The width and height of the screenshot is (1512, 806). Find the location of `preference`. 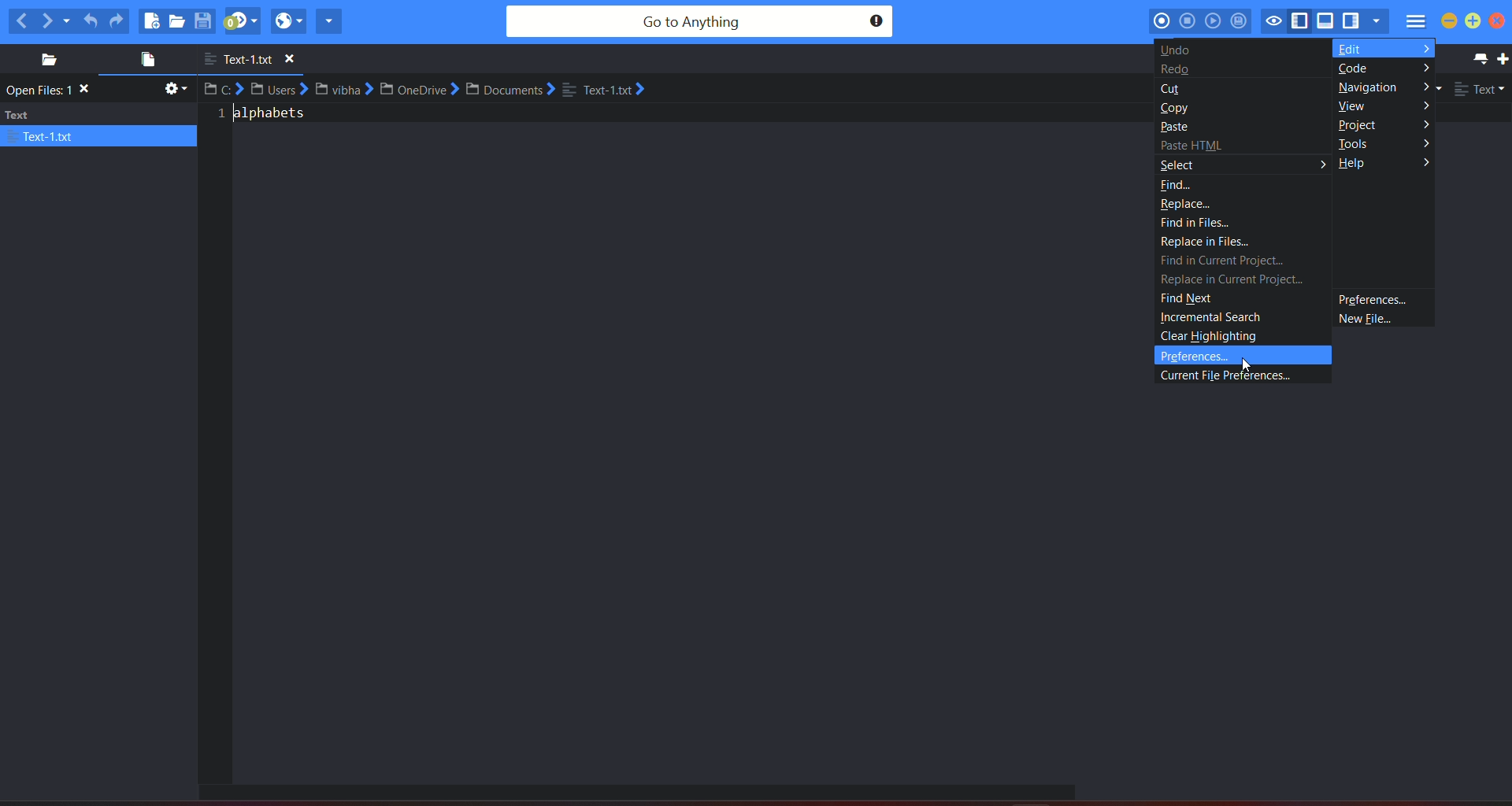

preference is located at coordinates (1375, 298).